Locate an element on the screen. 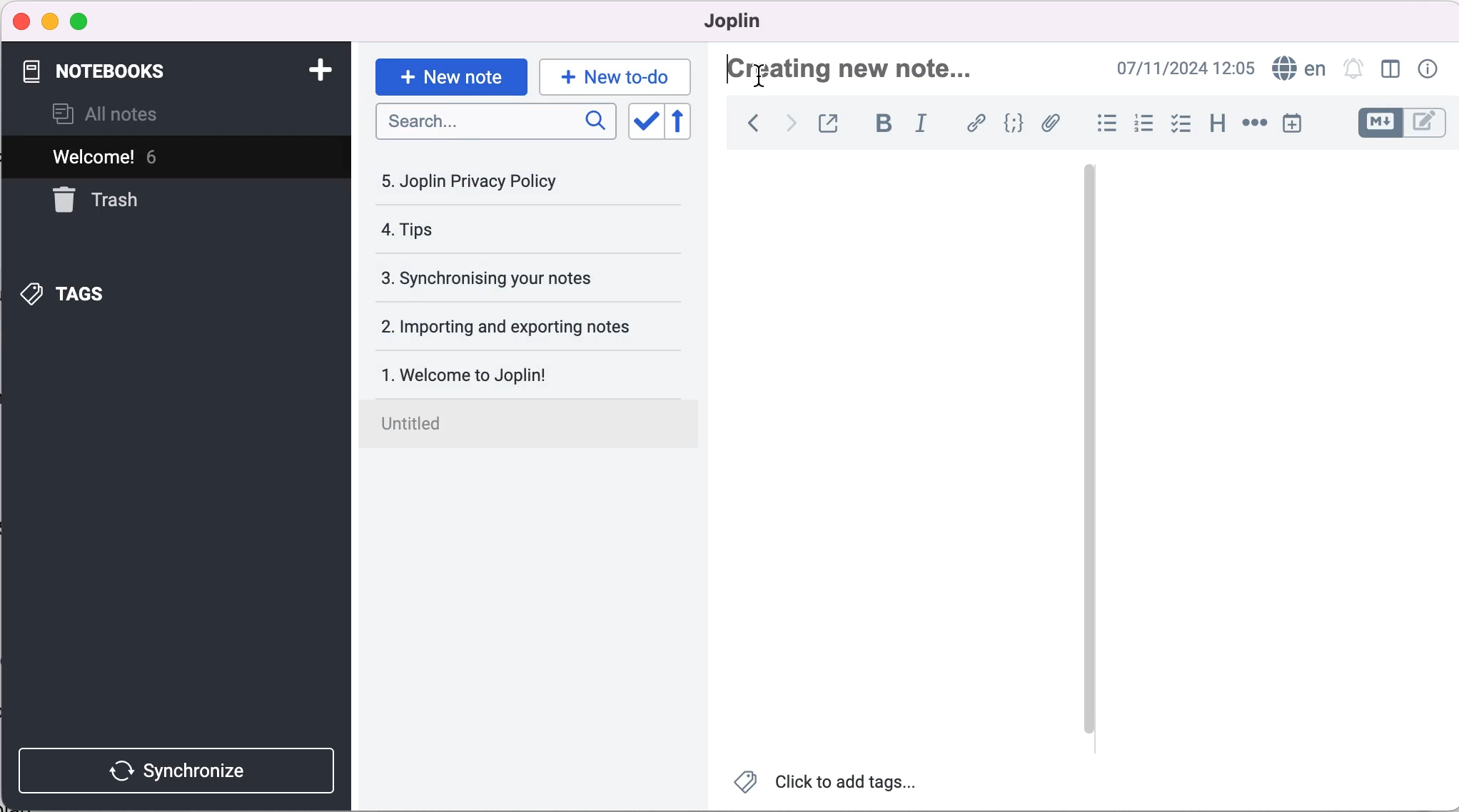 The image size is (1459, 812). tags is located at coordinates (91, 290).